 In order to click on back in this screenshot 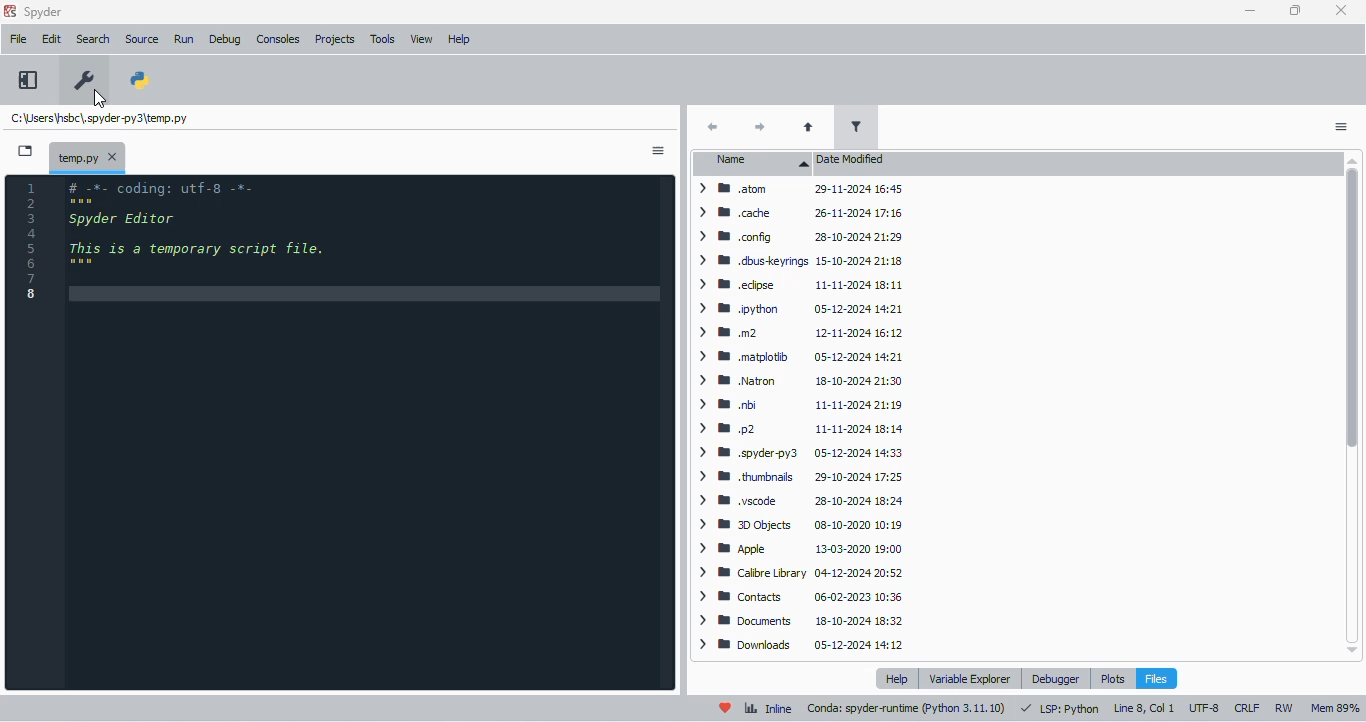, I will do `click(715, 127)`.